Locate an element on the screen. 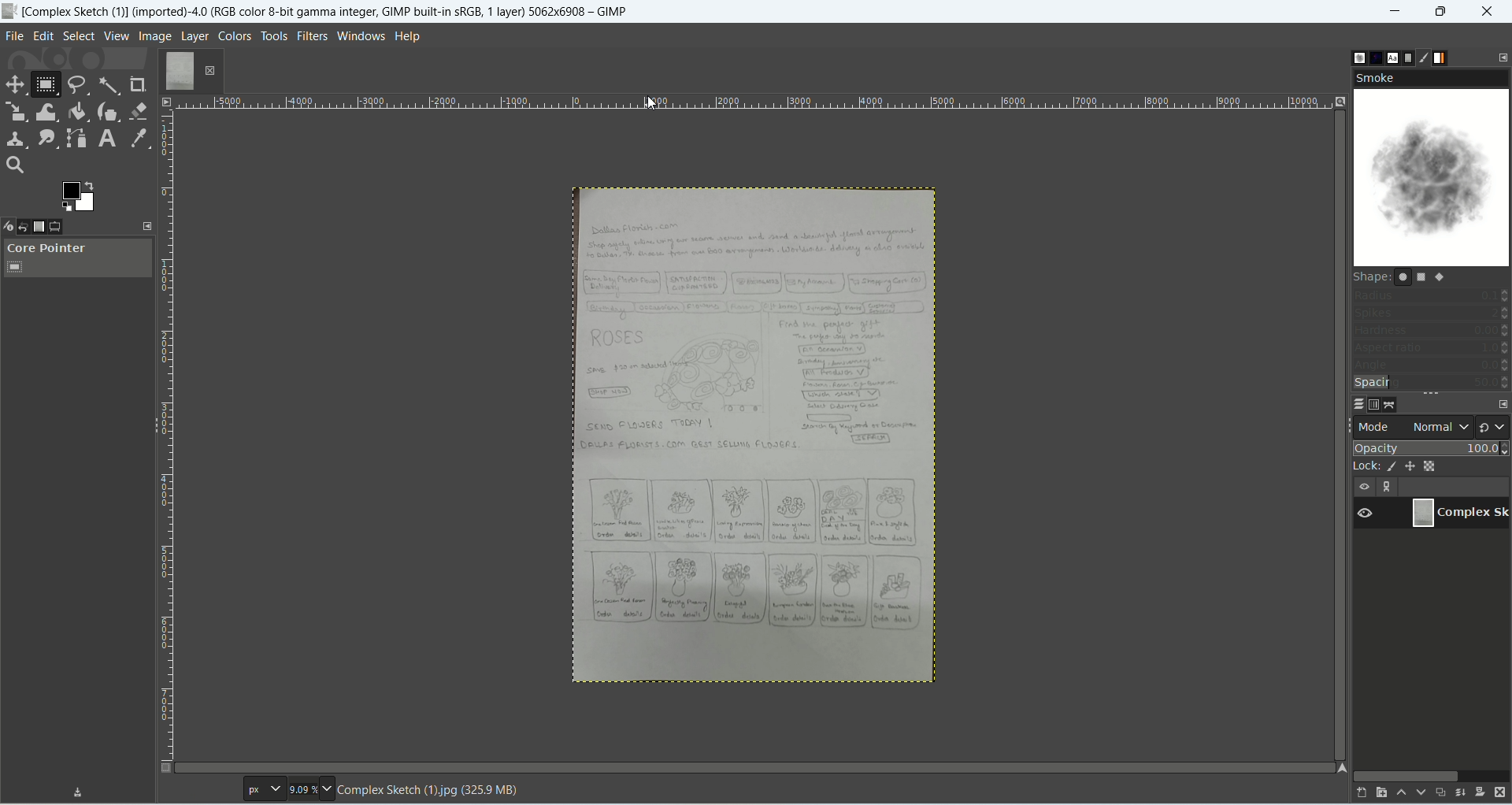 Image resolution: width=1512 pixels, height=805 pixels. configure this tab is located at coordinates (1502, 56).